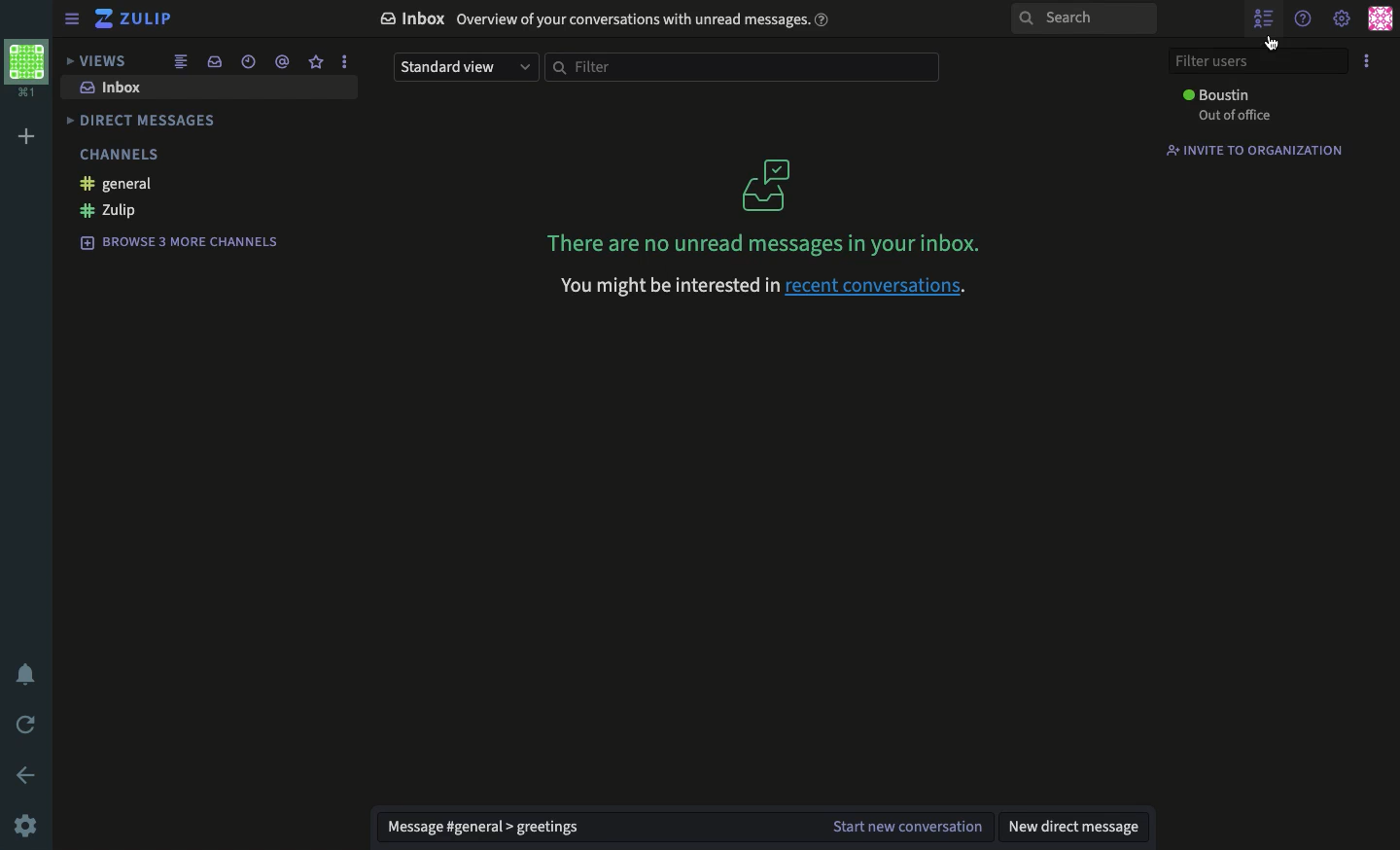  Describe the element at coordinates (346, 60) in the screenshot. I see `options` at that location.